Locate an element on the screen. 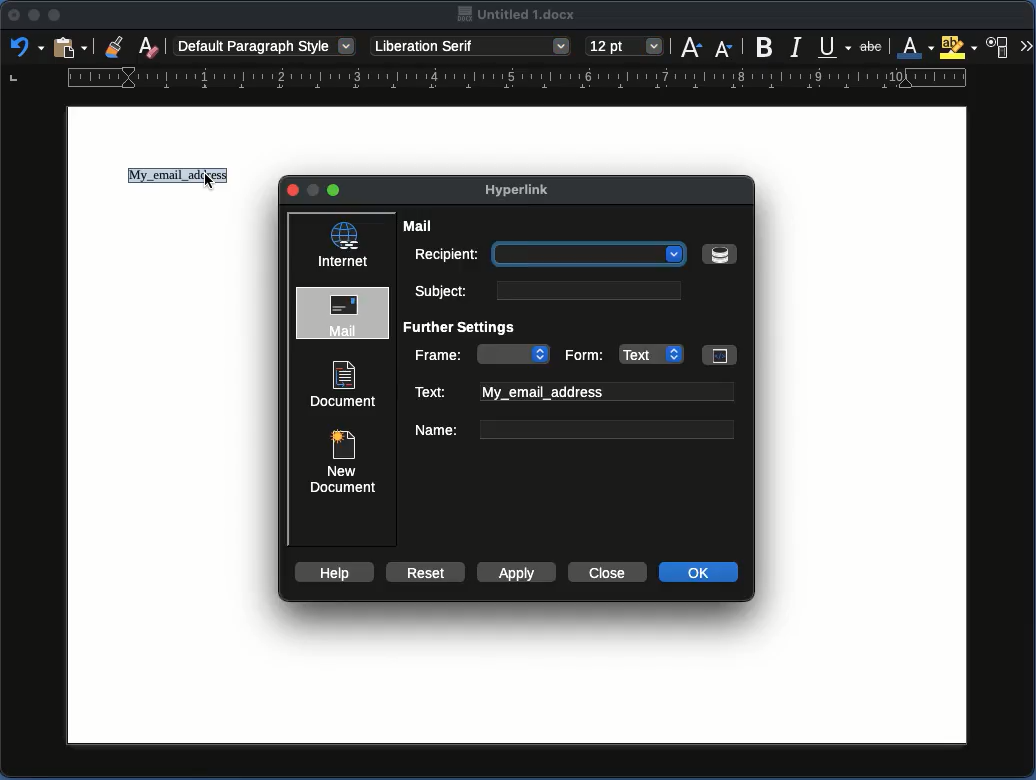 This screenshot has width=1036, height=780. Close is located at coordinates (14, 15).